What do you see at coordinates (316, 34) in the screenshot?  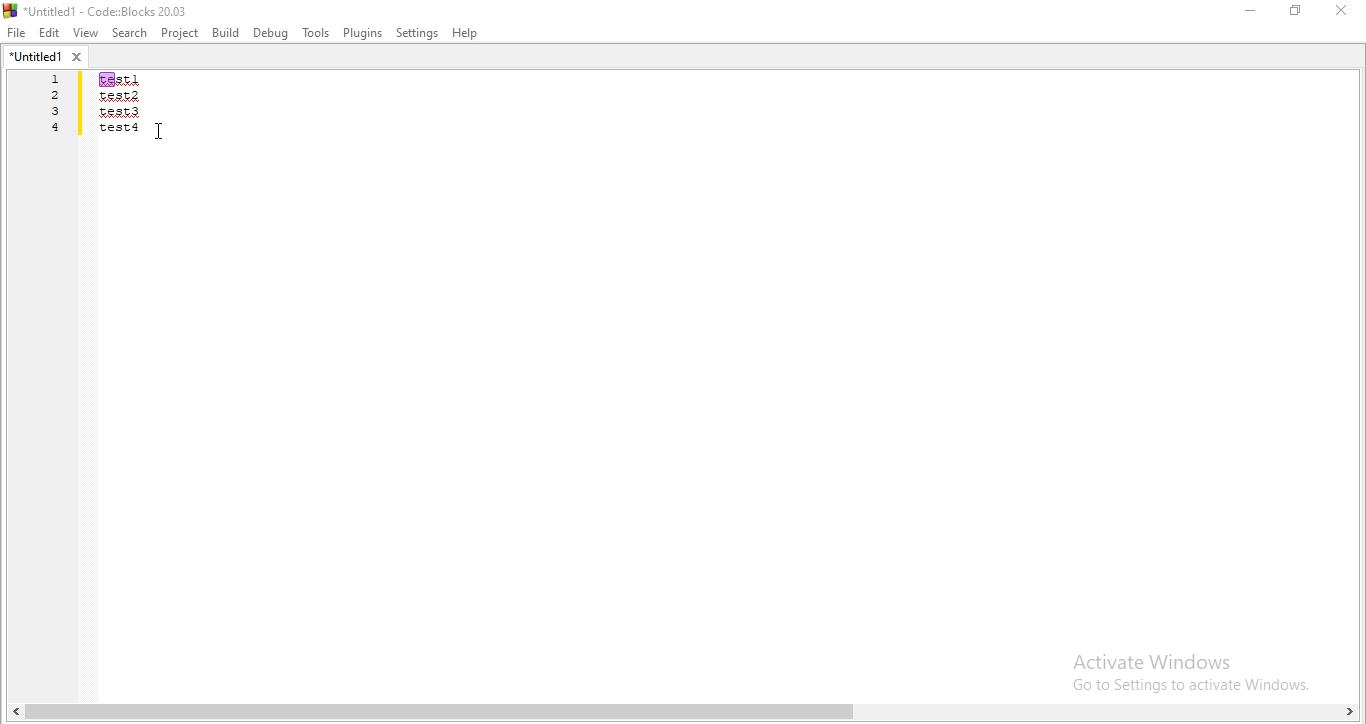 I see `Tools ` at bounding box center [316, 34].